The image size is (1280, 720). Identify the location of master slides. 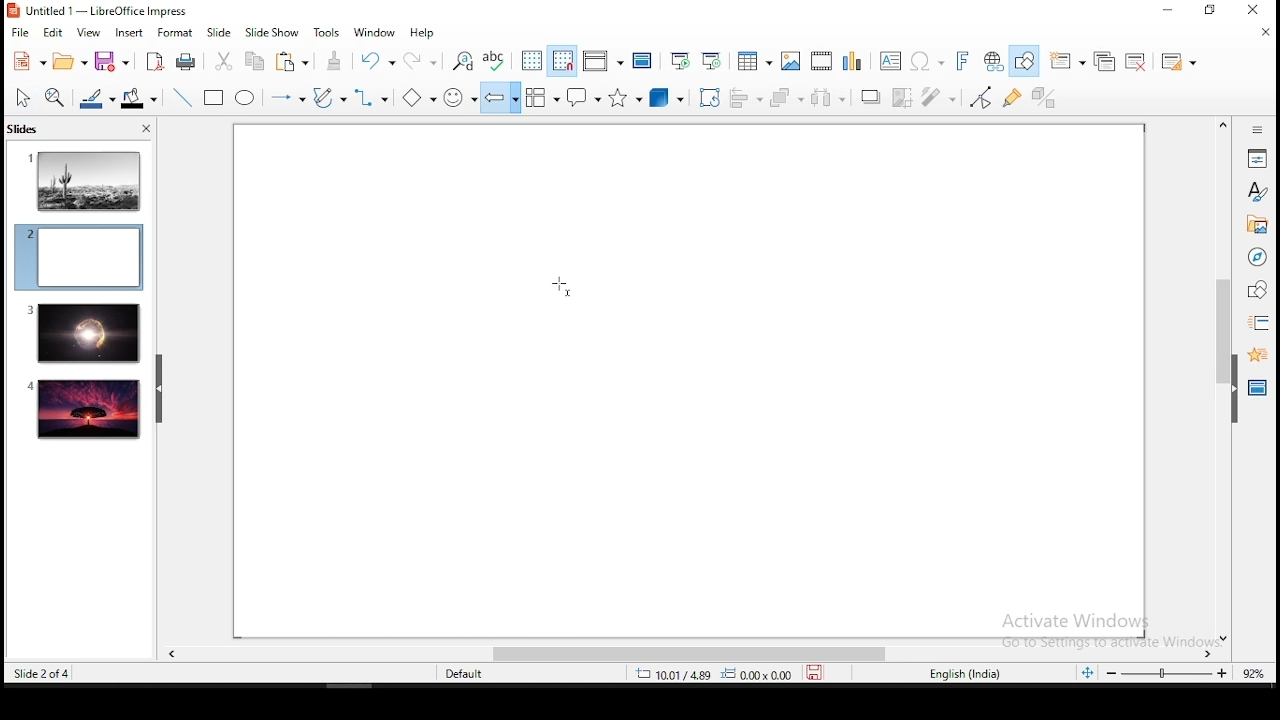
(1259, 386).